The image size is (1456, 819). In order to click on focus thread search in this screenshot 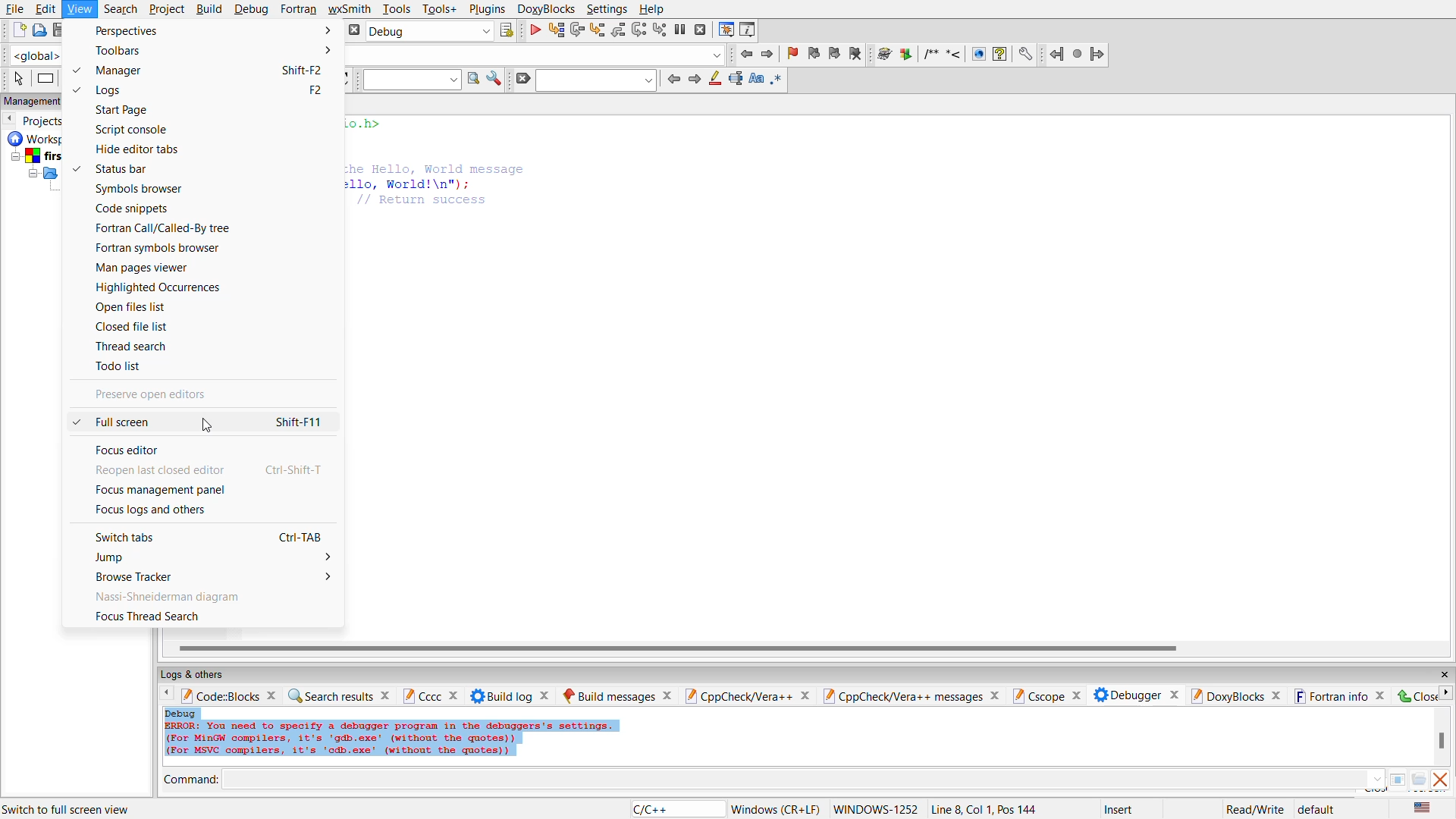, I will do `click(175, 618)`.